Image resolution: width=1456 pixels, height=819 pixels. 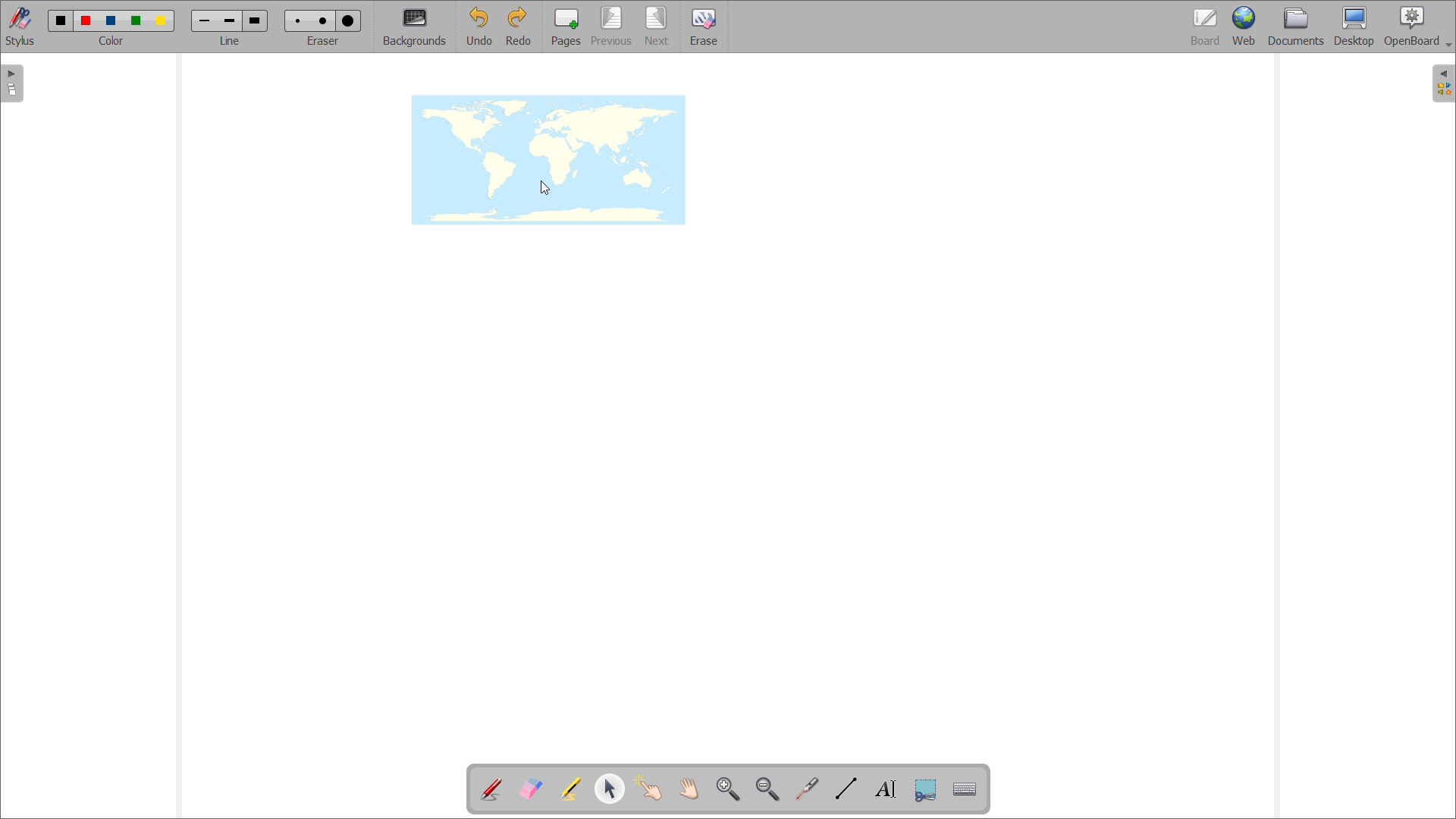 What do you see at coordinates (564, 27) in the screenshot?
I see `add pages` at bounding box center [564, 27].